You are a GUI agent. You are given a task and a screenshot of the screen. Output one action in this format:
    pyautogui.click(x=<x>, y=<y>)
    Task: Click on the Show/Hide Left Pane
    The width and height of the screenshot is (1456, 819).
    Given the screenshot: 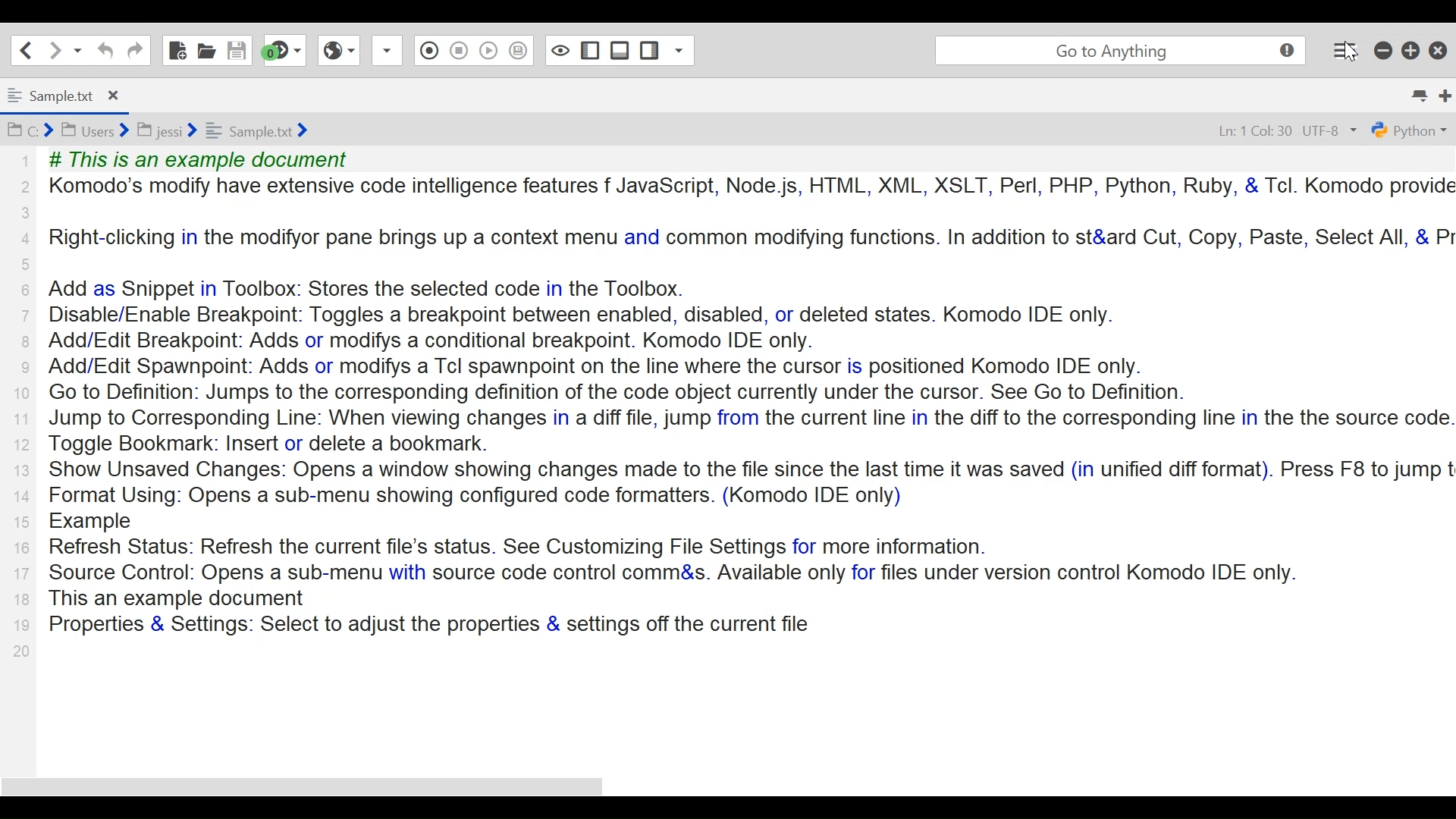 What is the action you would take?
    pyautogui.click(x=621, y=50)
    